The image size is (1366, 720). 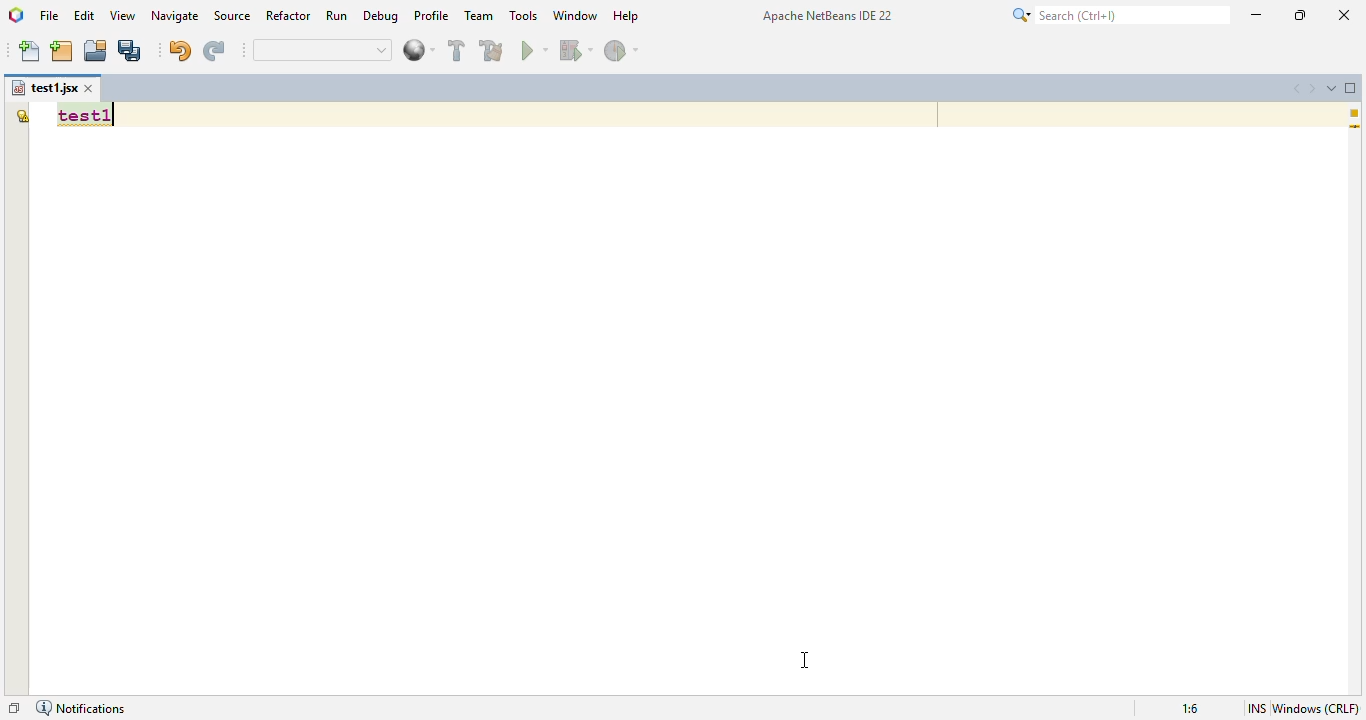 What do you see at coordinates (14, 708) in the screenshot?
I see `restore window group` at bounding box center [14, 708].